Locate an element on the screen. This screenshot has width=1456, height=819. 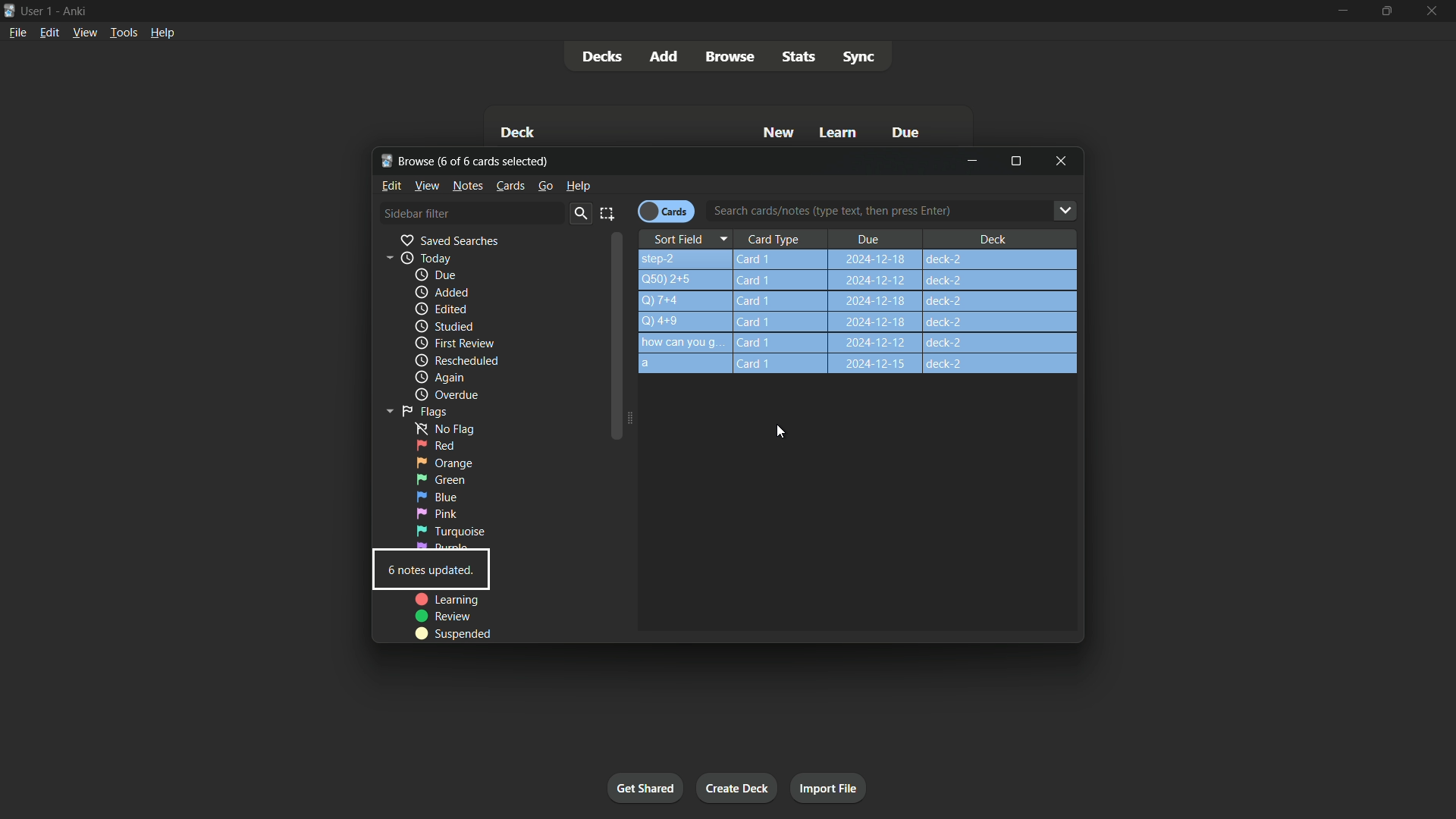
again is located at coordinates (439, 378).